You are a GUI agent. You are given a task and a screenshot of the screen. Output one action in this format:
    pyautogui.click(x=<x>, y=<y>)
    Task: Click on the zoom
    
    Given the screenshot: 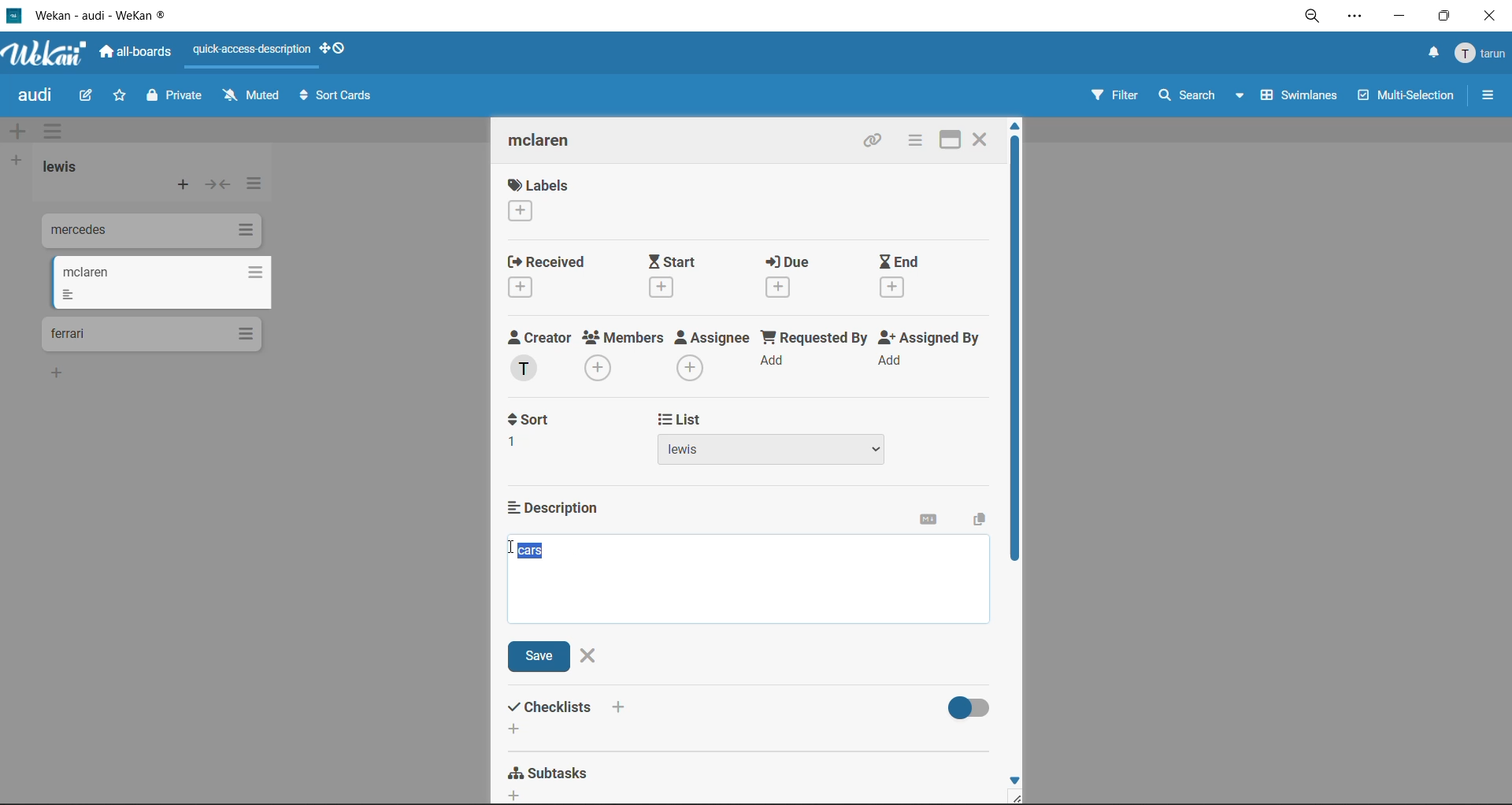 What is the action you would take?
    pyautogui.click(x=1312, y=17)
    